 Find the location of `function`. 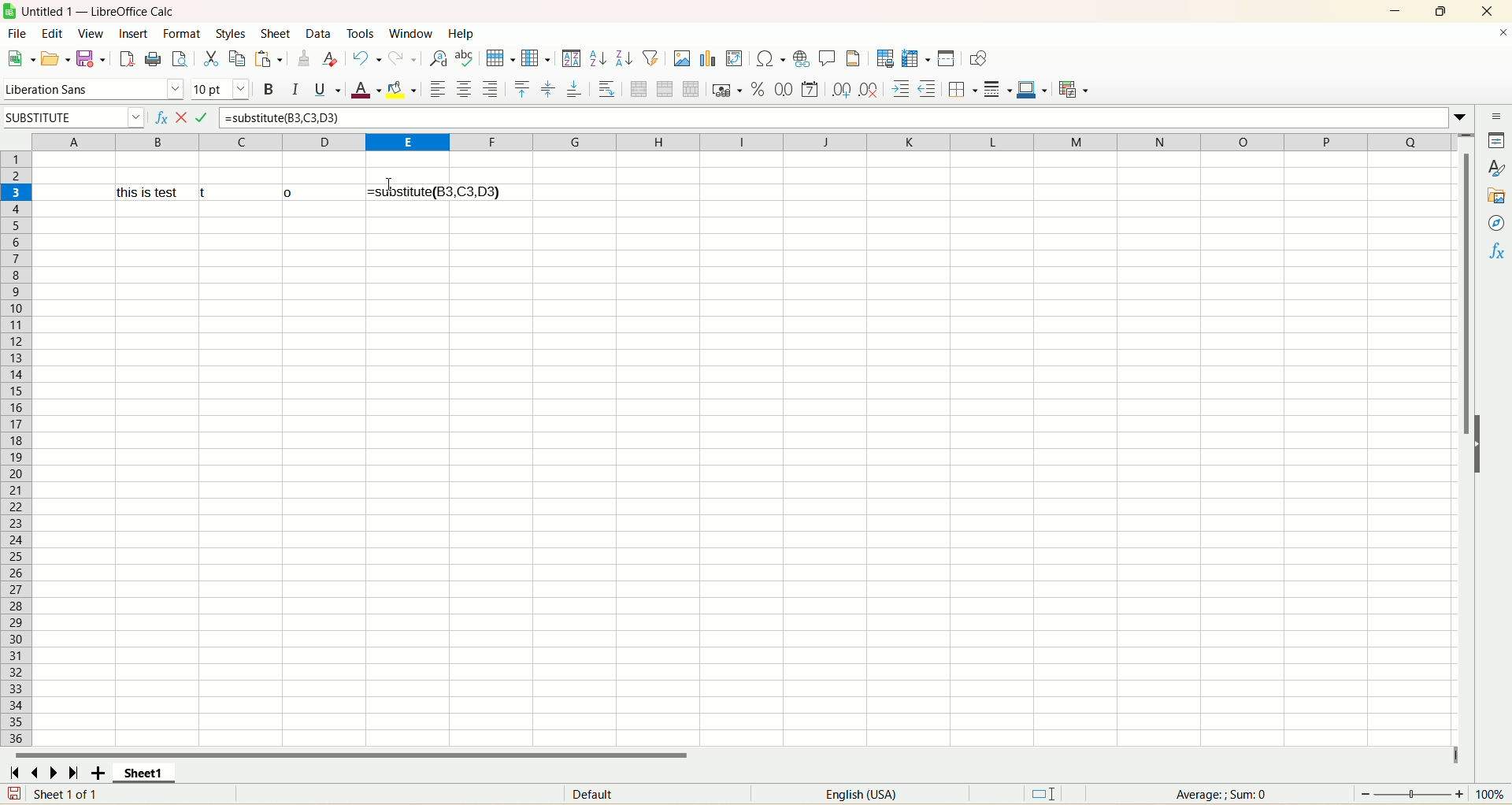

function is located at coordinates (1495, 256).